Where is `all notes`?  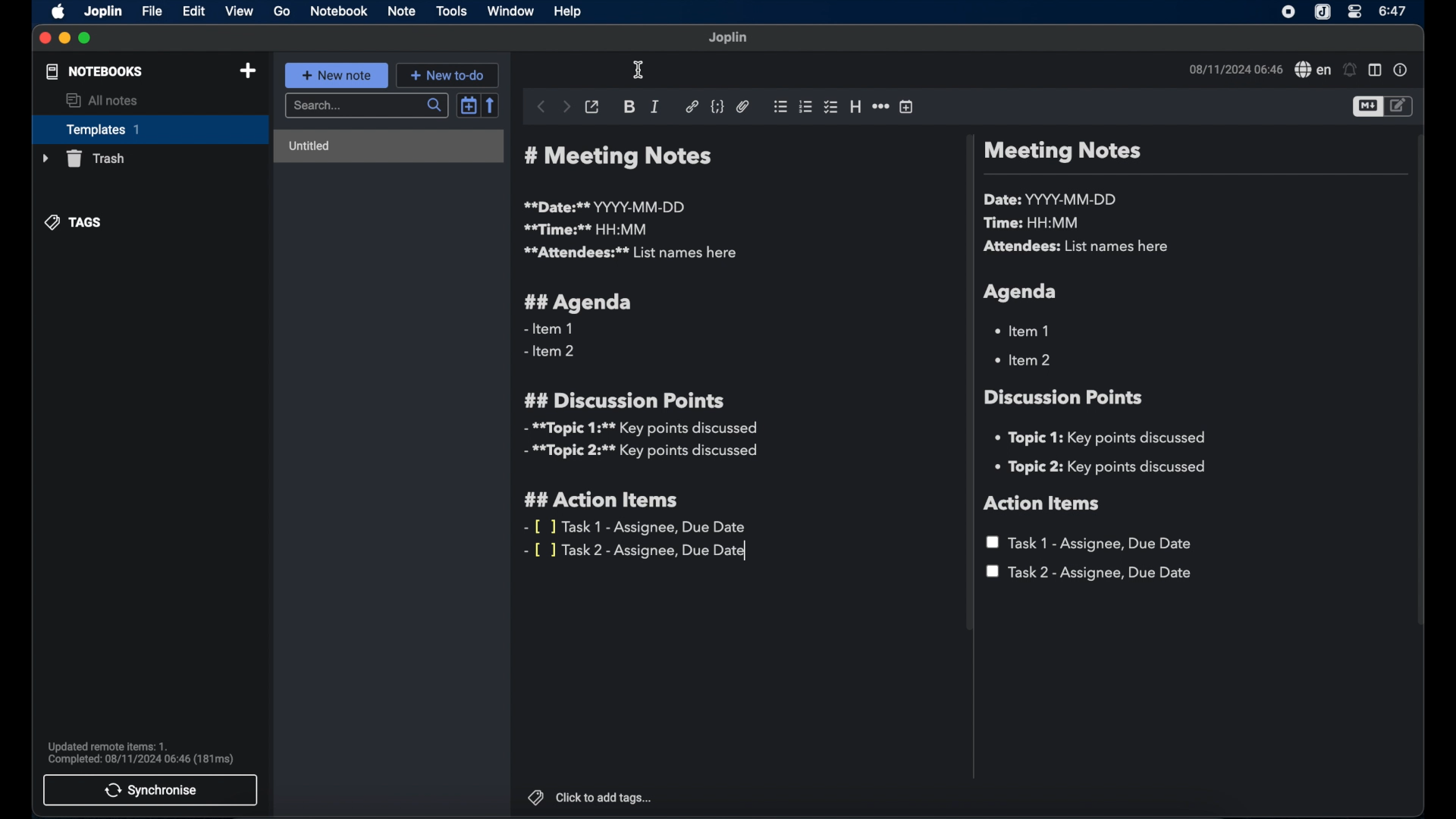 all notes is located at coordinates (102, 101).